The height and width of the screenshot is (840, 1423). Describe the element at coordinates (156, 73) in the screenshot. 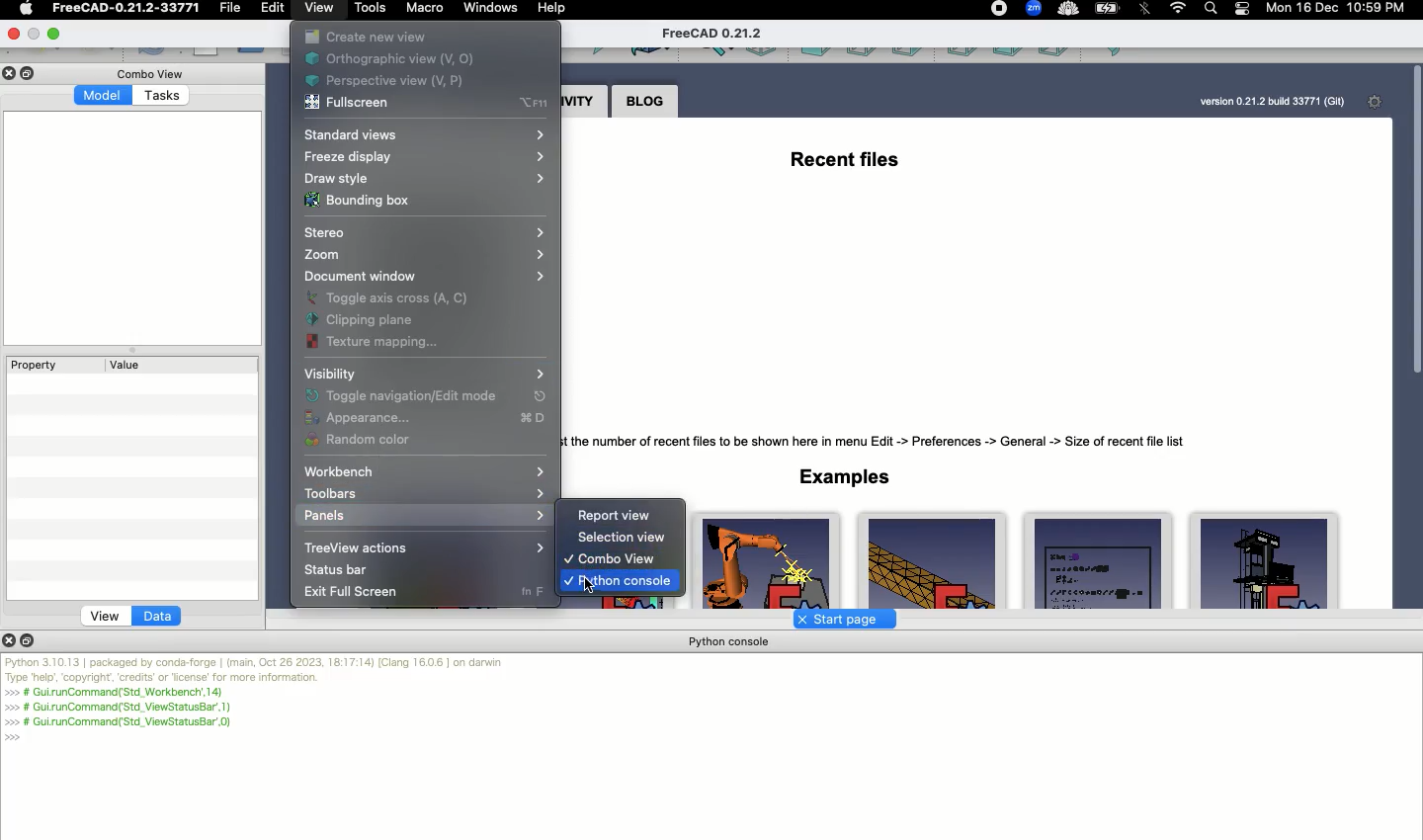

I see `Combo view` at that location.